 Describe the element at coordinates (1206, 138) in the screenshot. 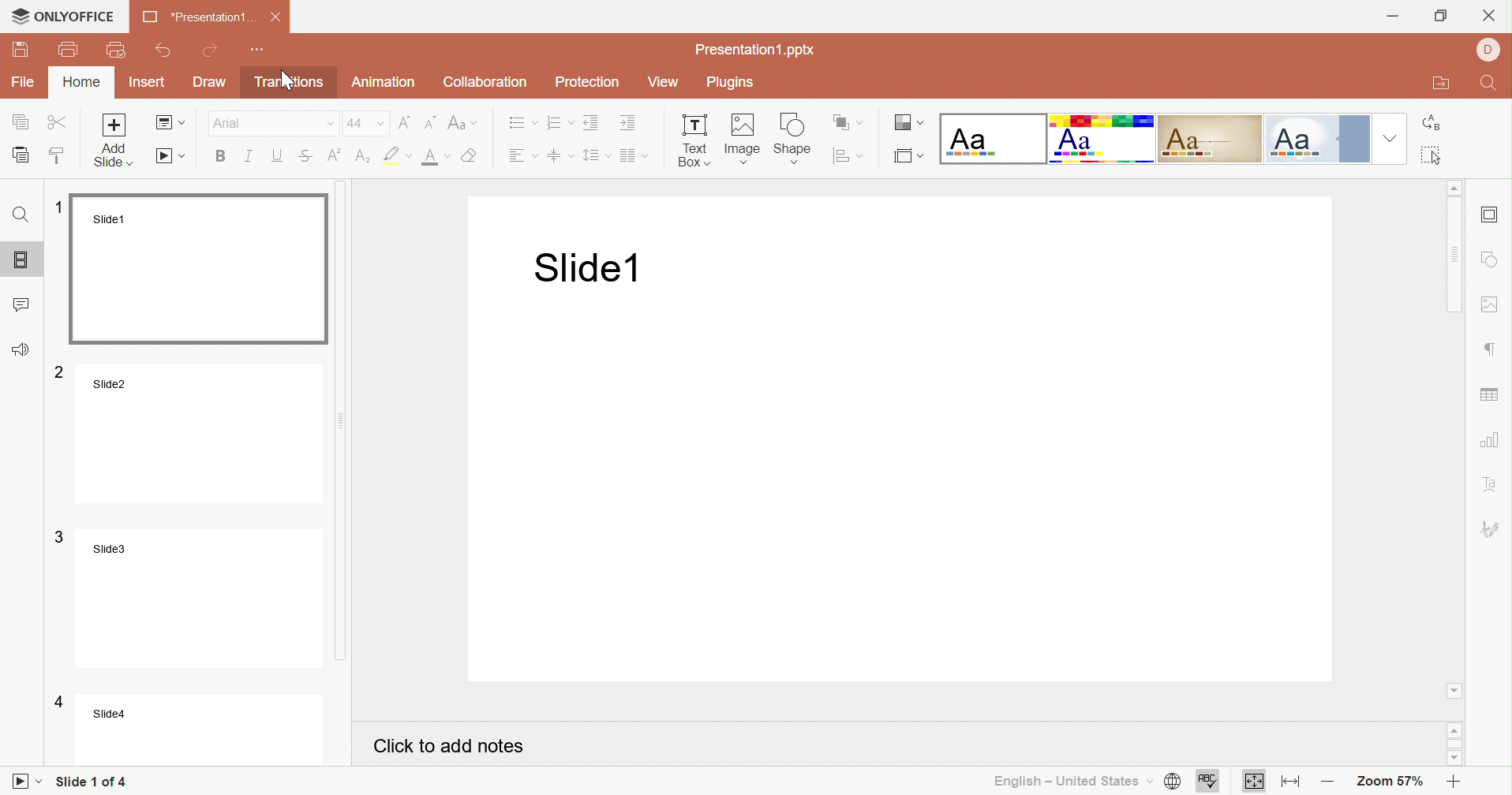

I see `Classic` at that location.